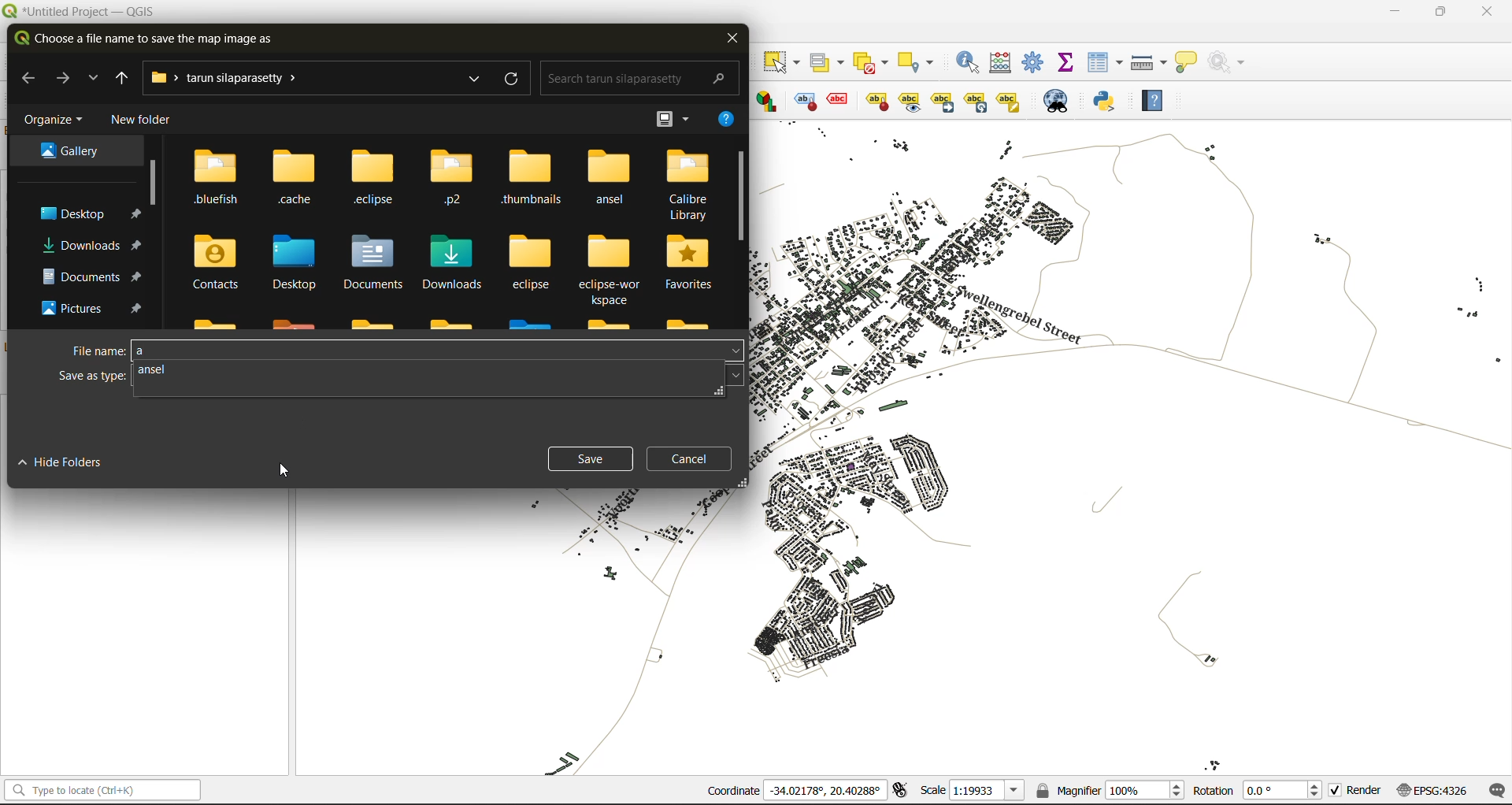  What do you see at coordinates (1352, 793) in the screenshot?
I see `render` at bounding box center [1352, 793].